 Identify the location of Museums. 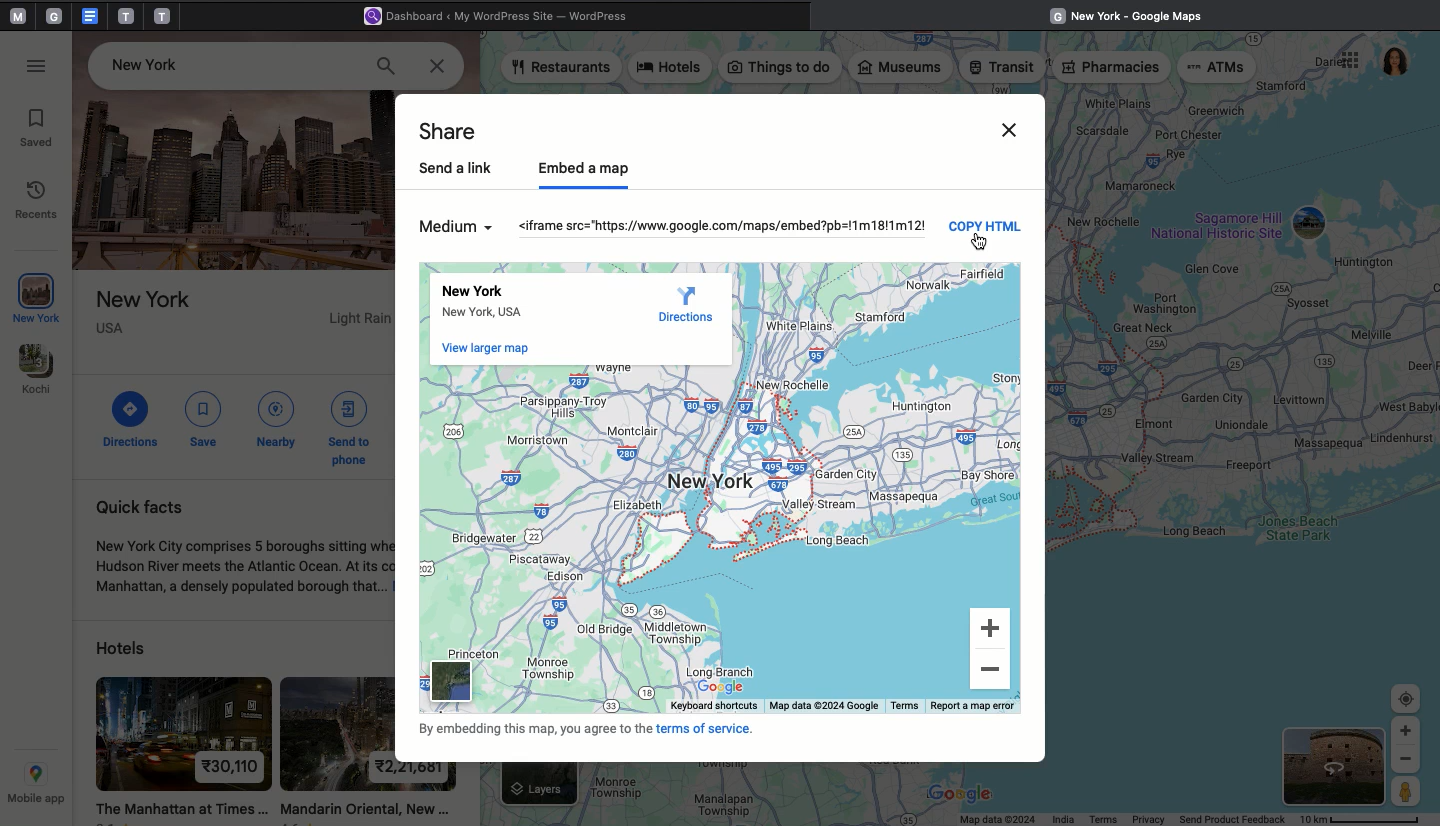
(902, 69).